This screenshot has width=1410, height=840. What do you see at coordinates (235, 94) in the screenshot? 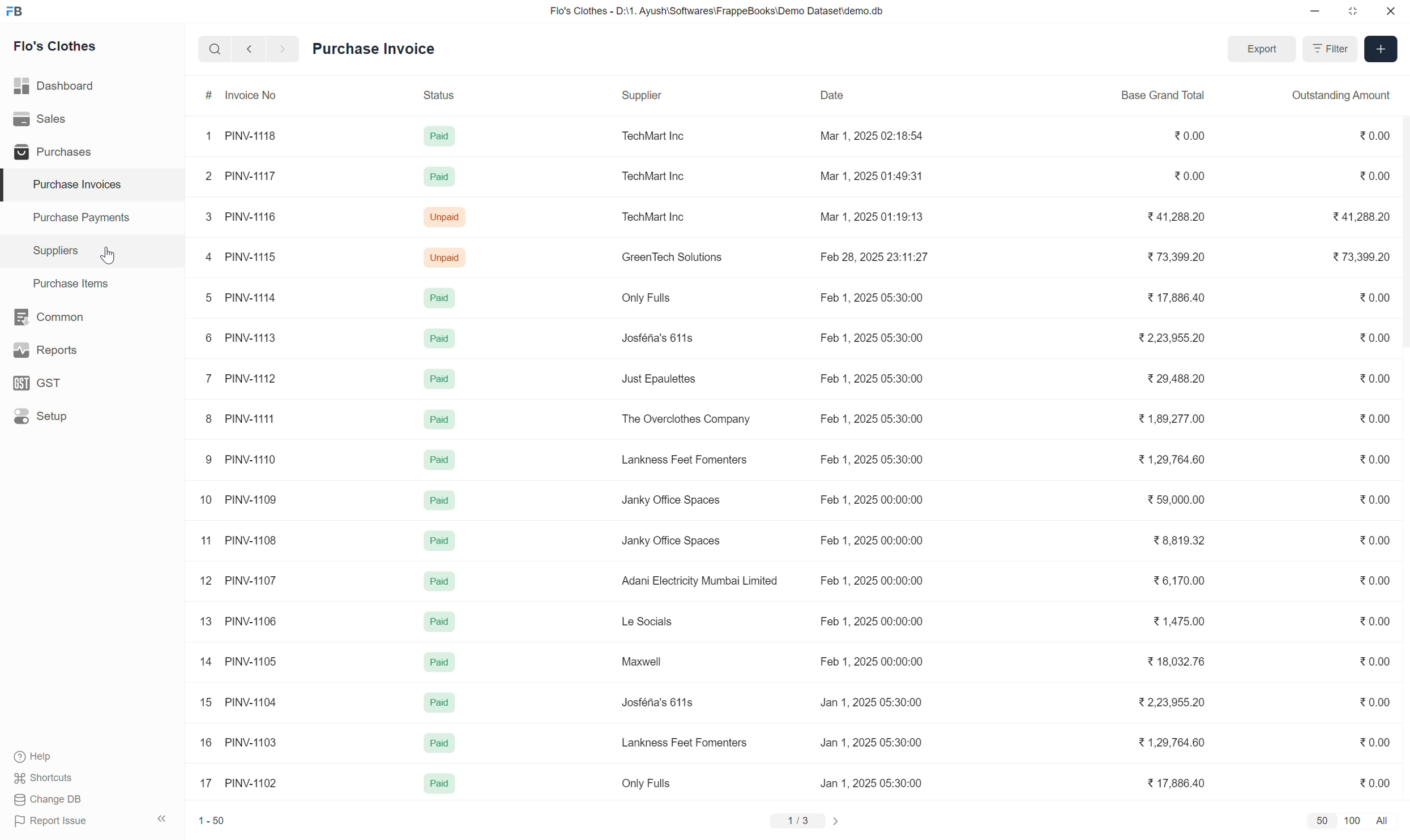
I see `# Invoice No` at bounding box center [235, 94].